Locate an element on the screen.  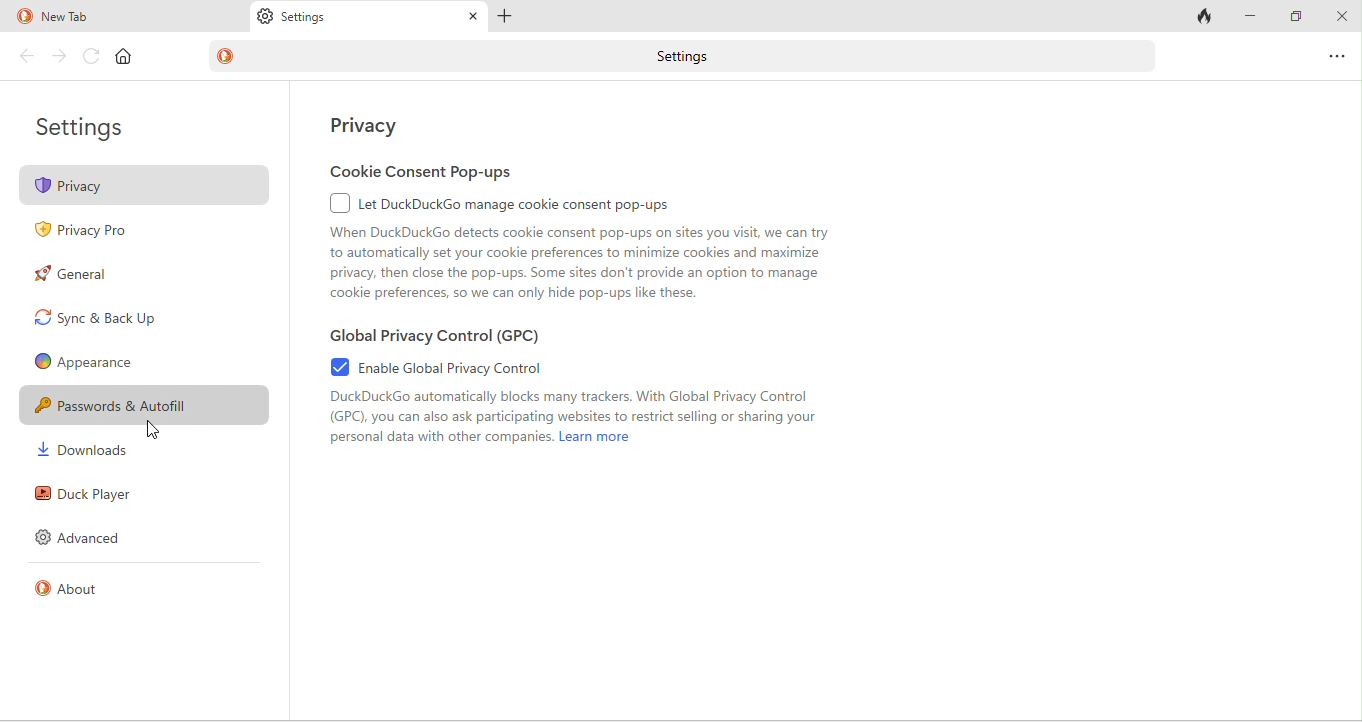
privacy pro is located at coordinates (86, 228).